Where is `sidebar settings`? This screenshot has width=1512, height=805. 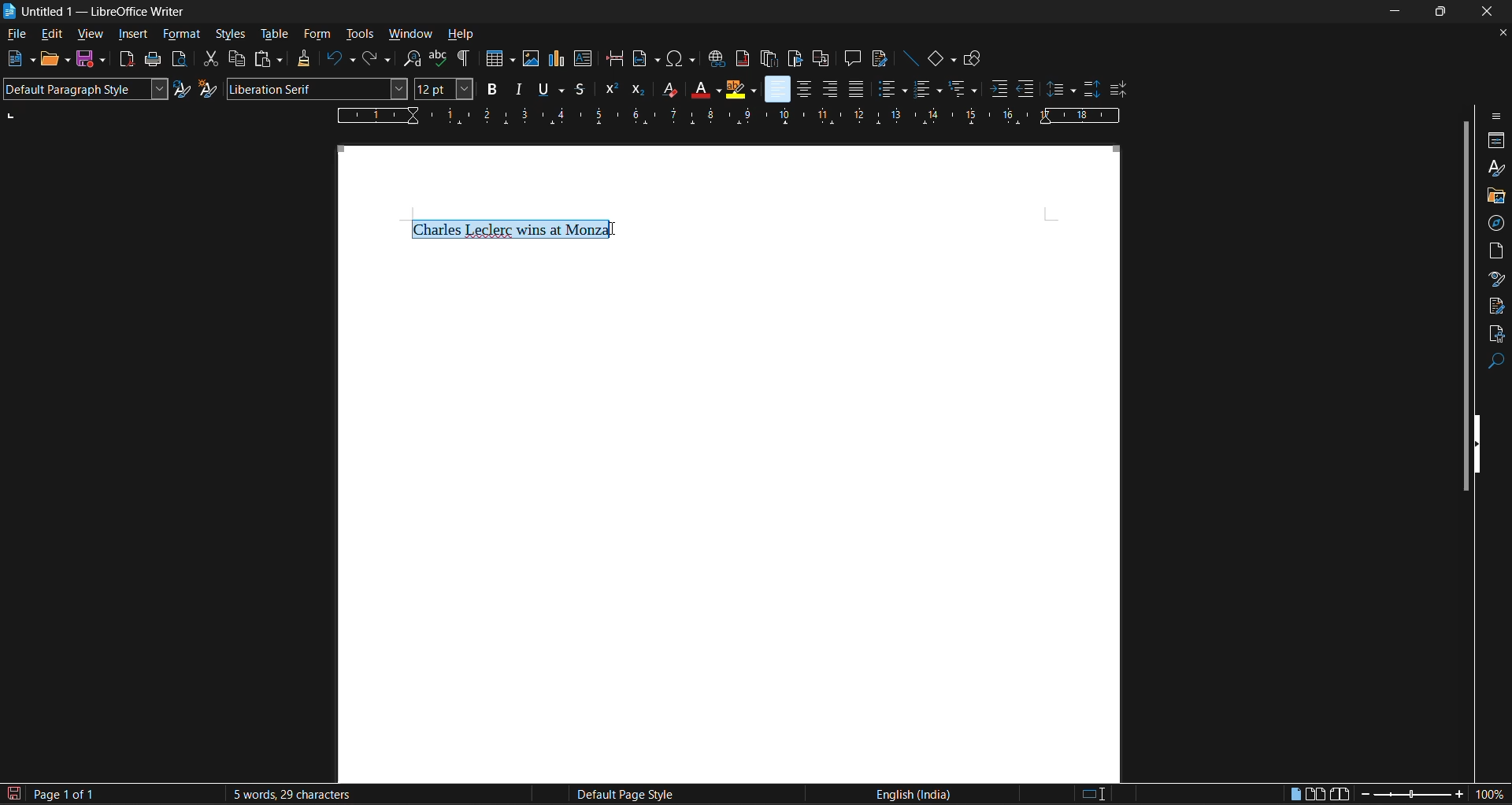 sidebar settings is located at coordinates (1497, 116).